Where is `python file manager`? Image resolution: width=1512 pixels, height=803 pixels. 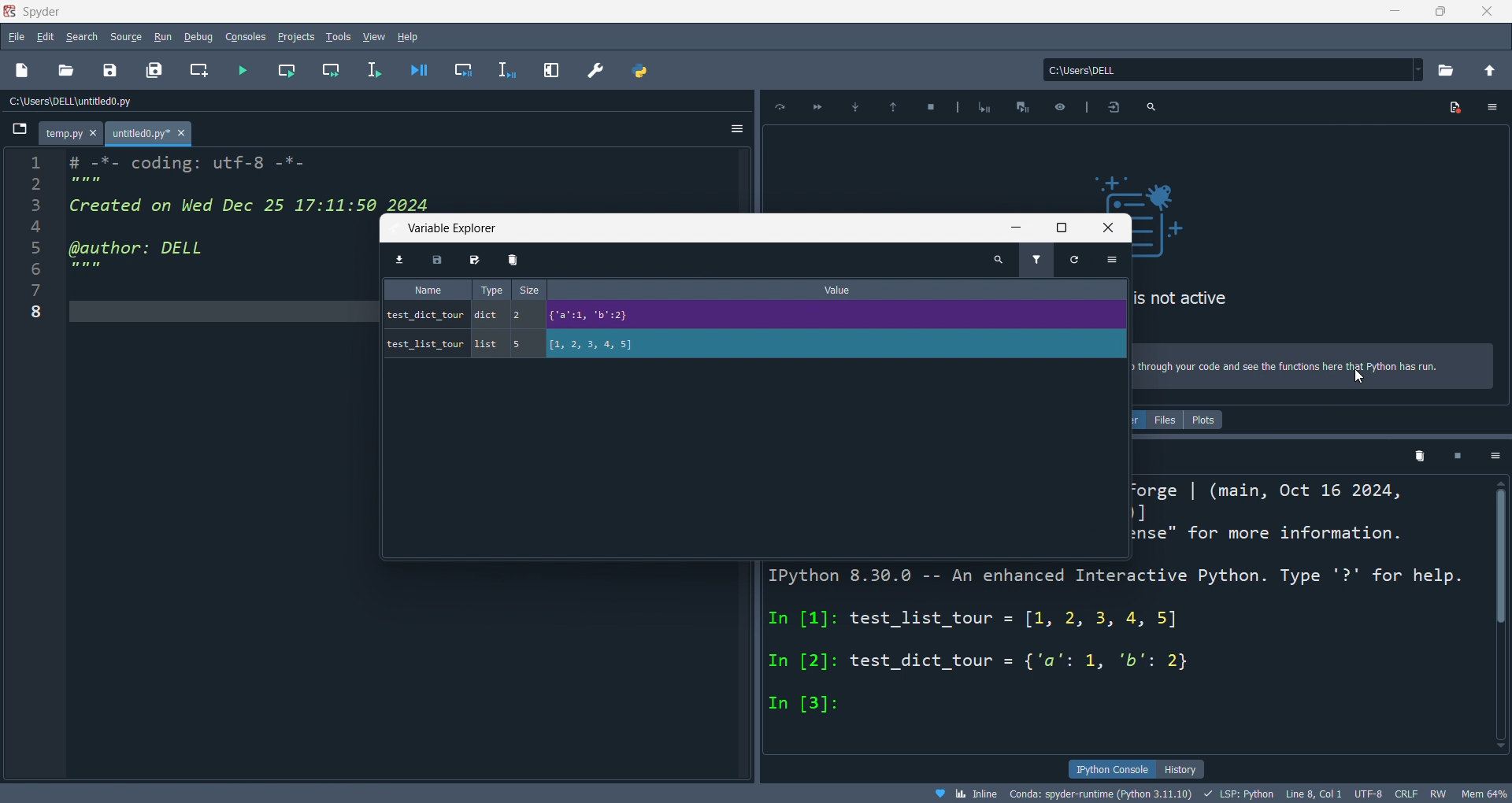
python file manager is located at coordinates (636, 68).